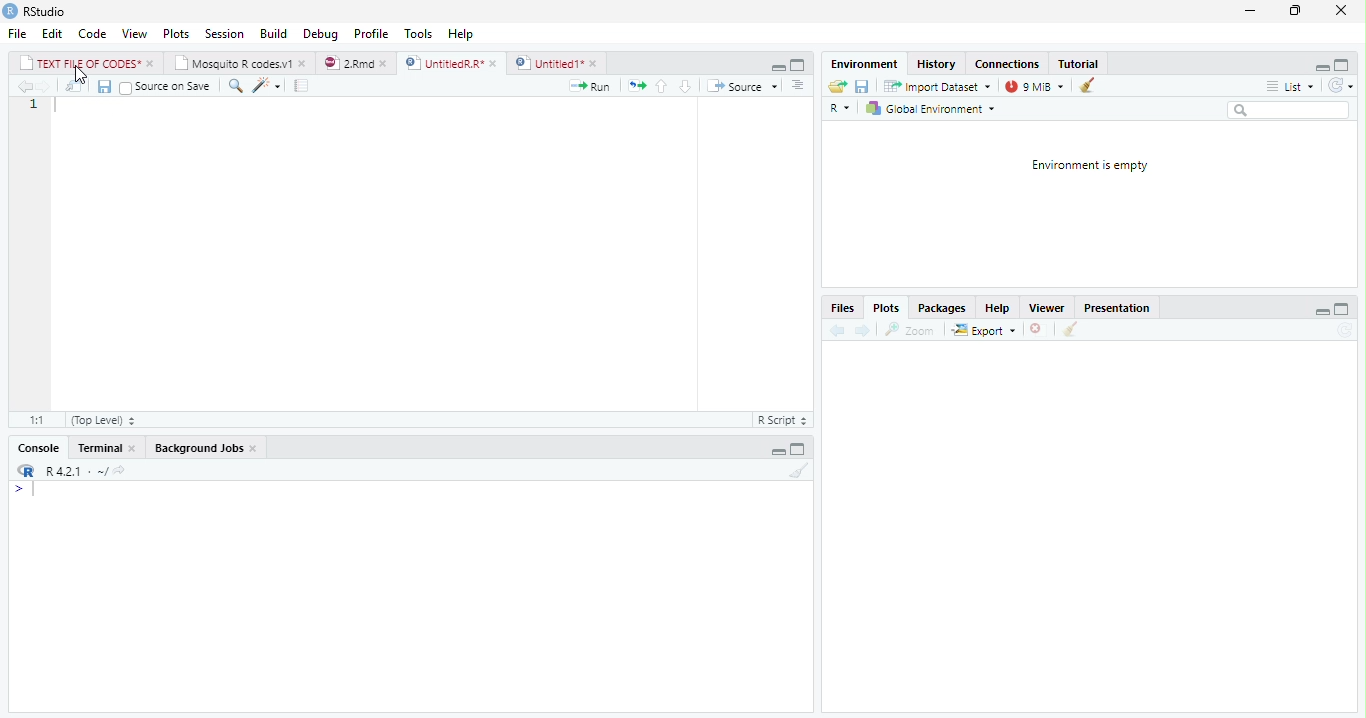 The height and width of the screenshot is (718, 1366). Describe the element at coordinates (28, 87) in the screenshot. I see `go back to the previous source location` at that location.